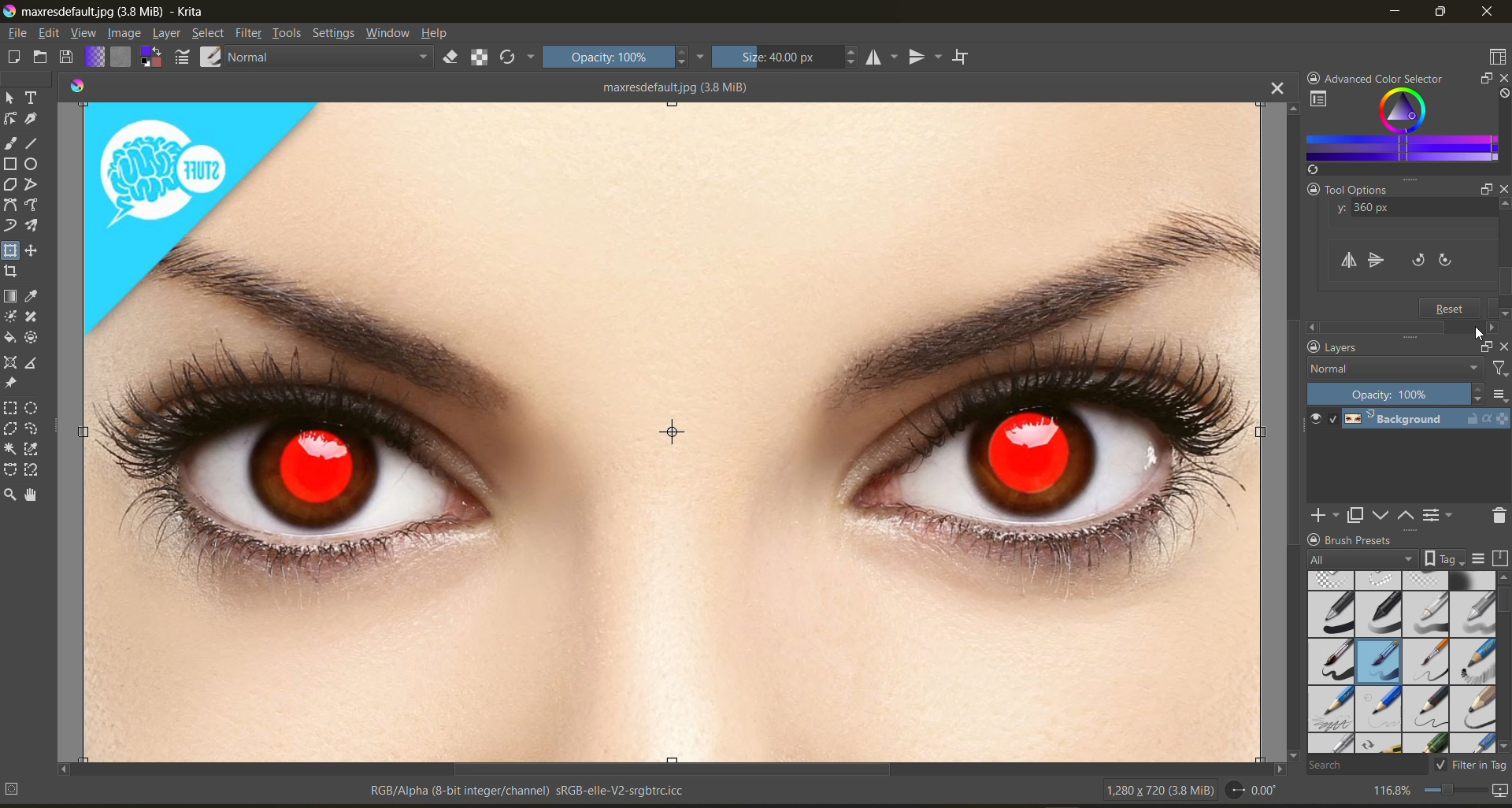 Image resolution: width=1512 pixels, height=808 pixels. What do you see at coordinates (31, 250) in the screenshot?
I see `tool` at bounding box center [31, 250].